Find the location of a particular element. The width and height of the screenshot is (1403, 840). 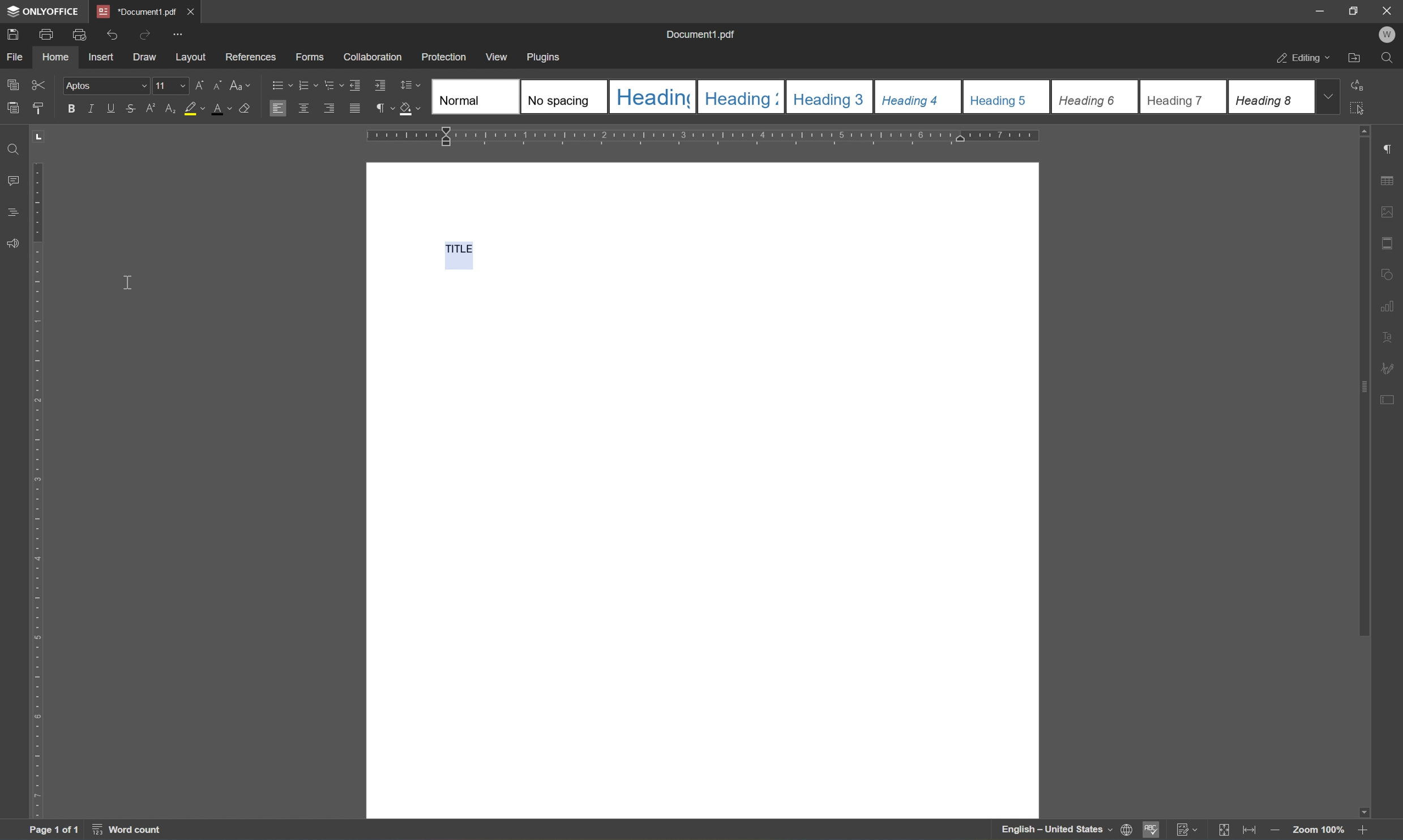

header & footer settings is located at coordinates (1390, 243).